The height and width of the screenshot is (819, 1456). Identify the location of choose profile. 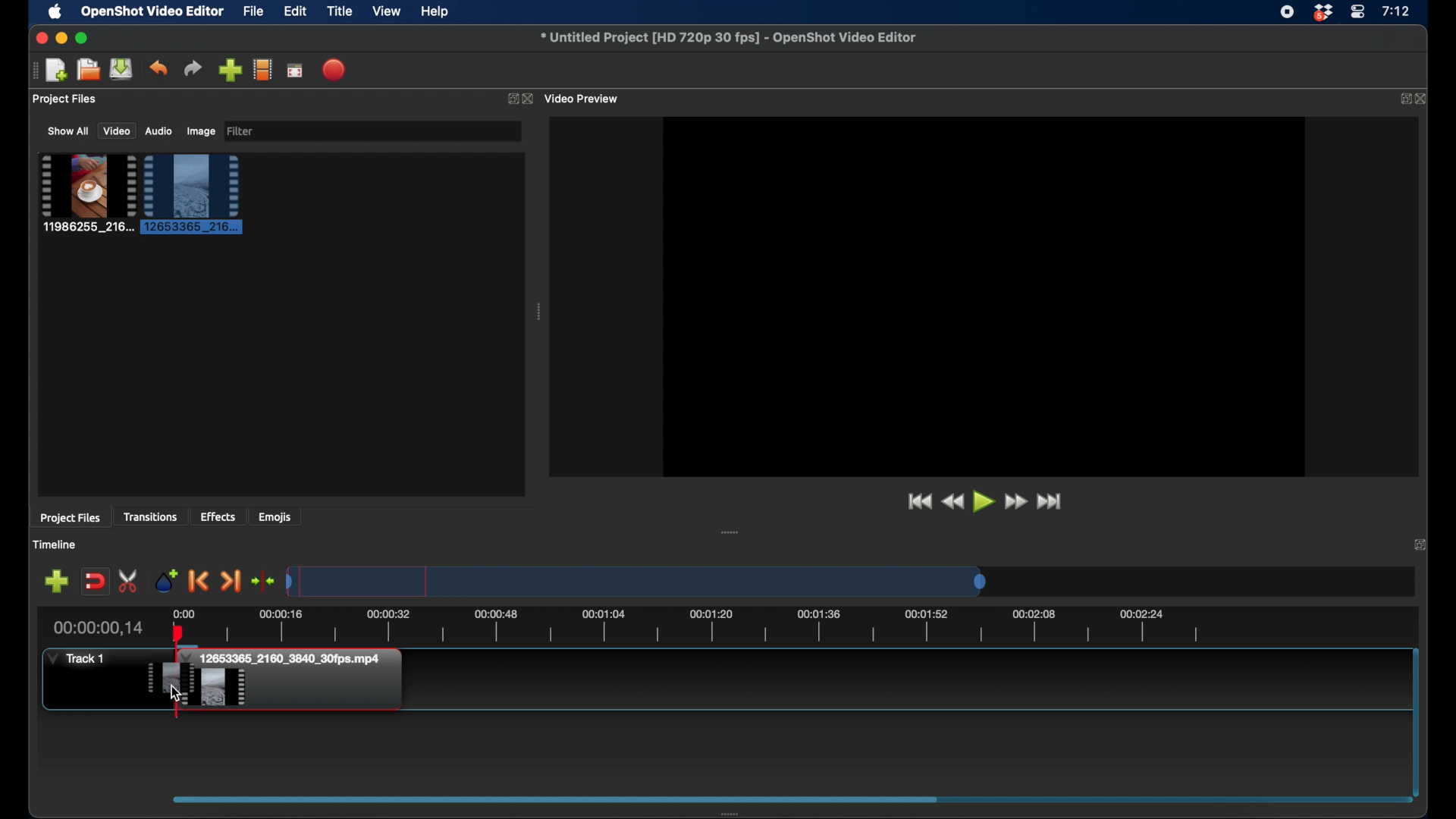
(263, 69).